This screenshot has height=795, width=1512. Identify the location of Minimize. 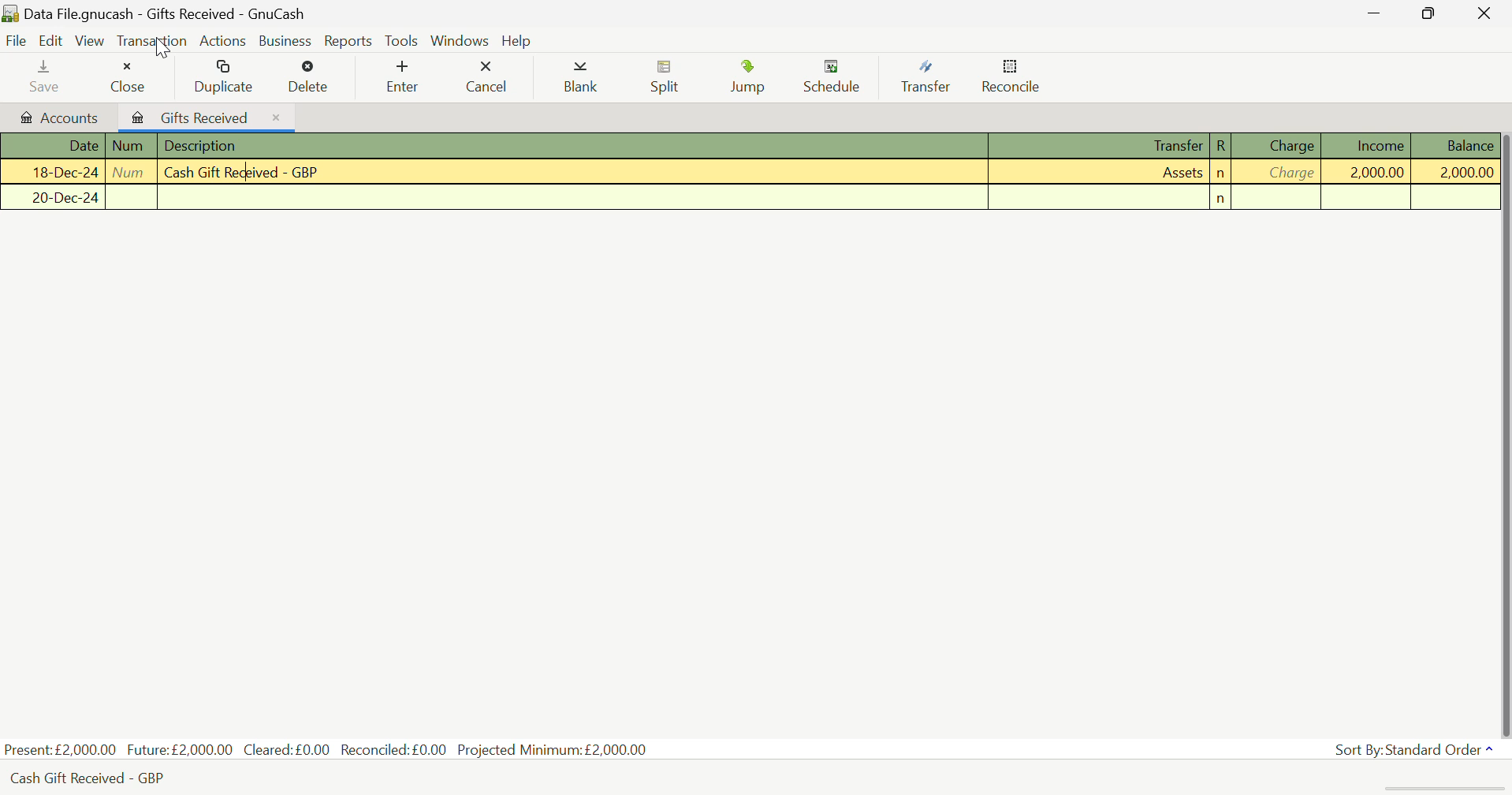
(1434, 13).